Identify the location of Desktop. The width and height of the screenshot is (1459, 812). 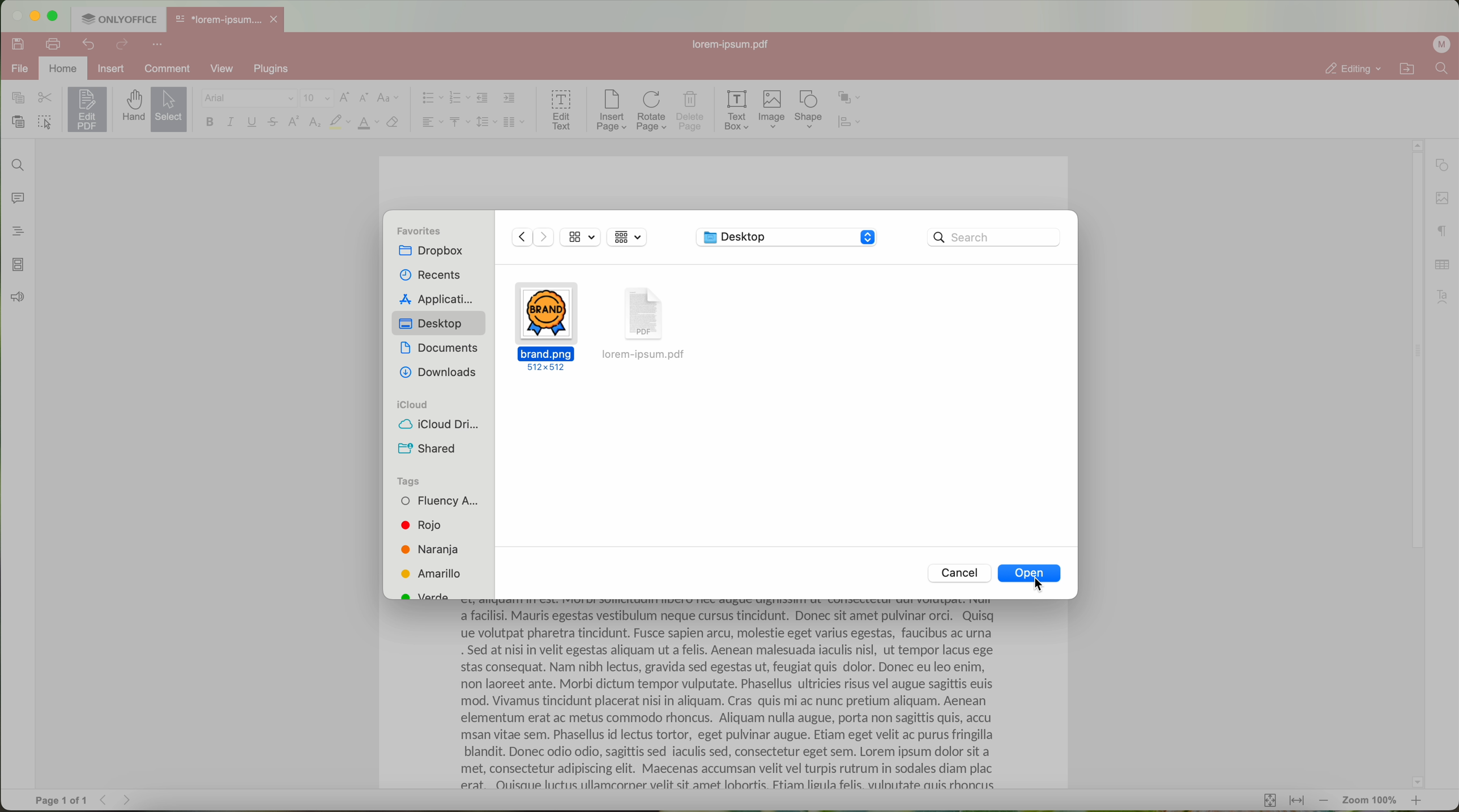
(763, 236).